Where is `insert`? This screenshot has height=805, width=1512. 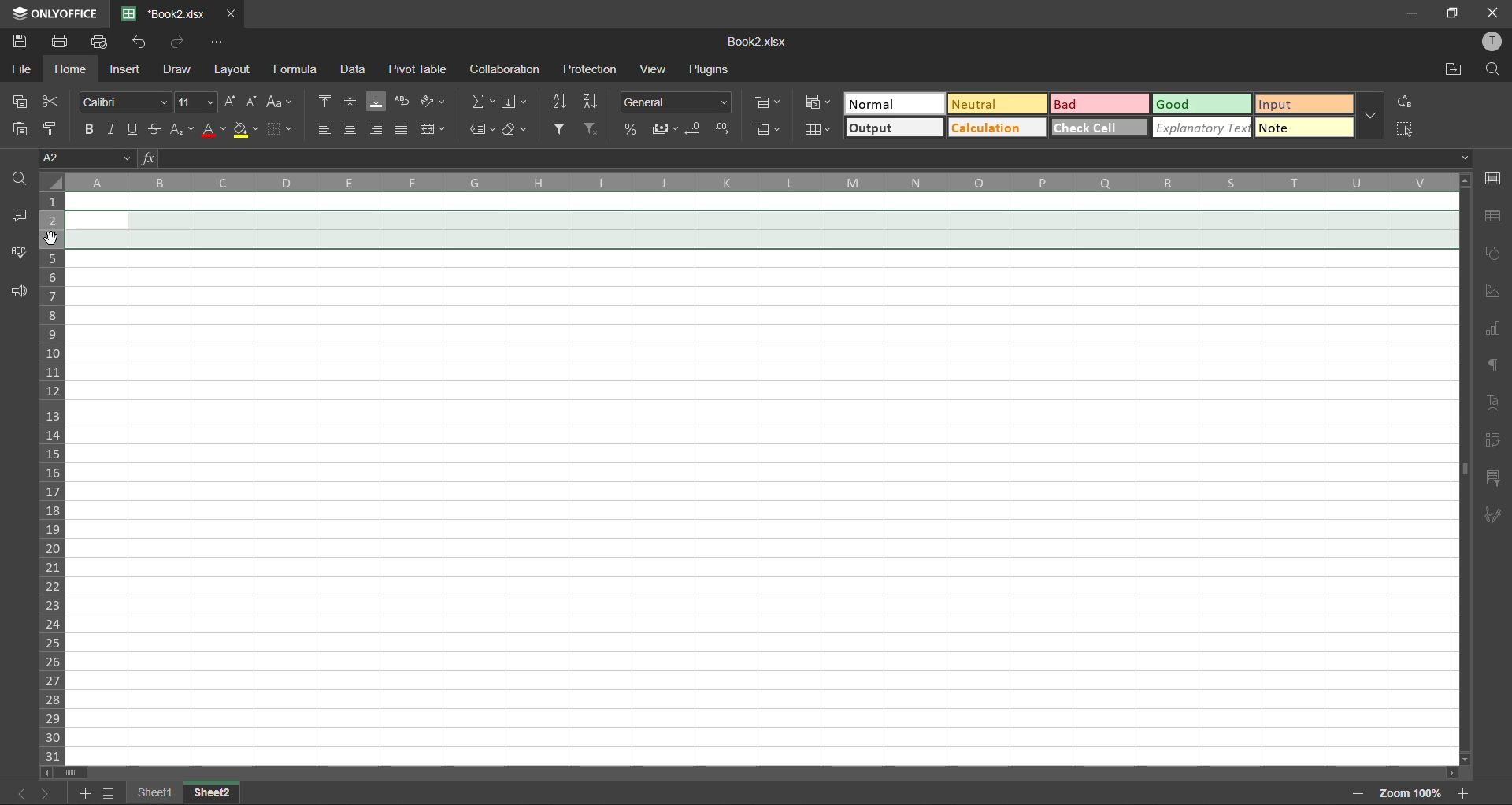
insert is located at coordinates (126, 68).